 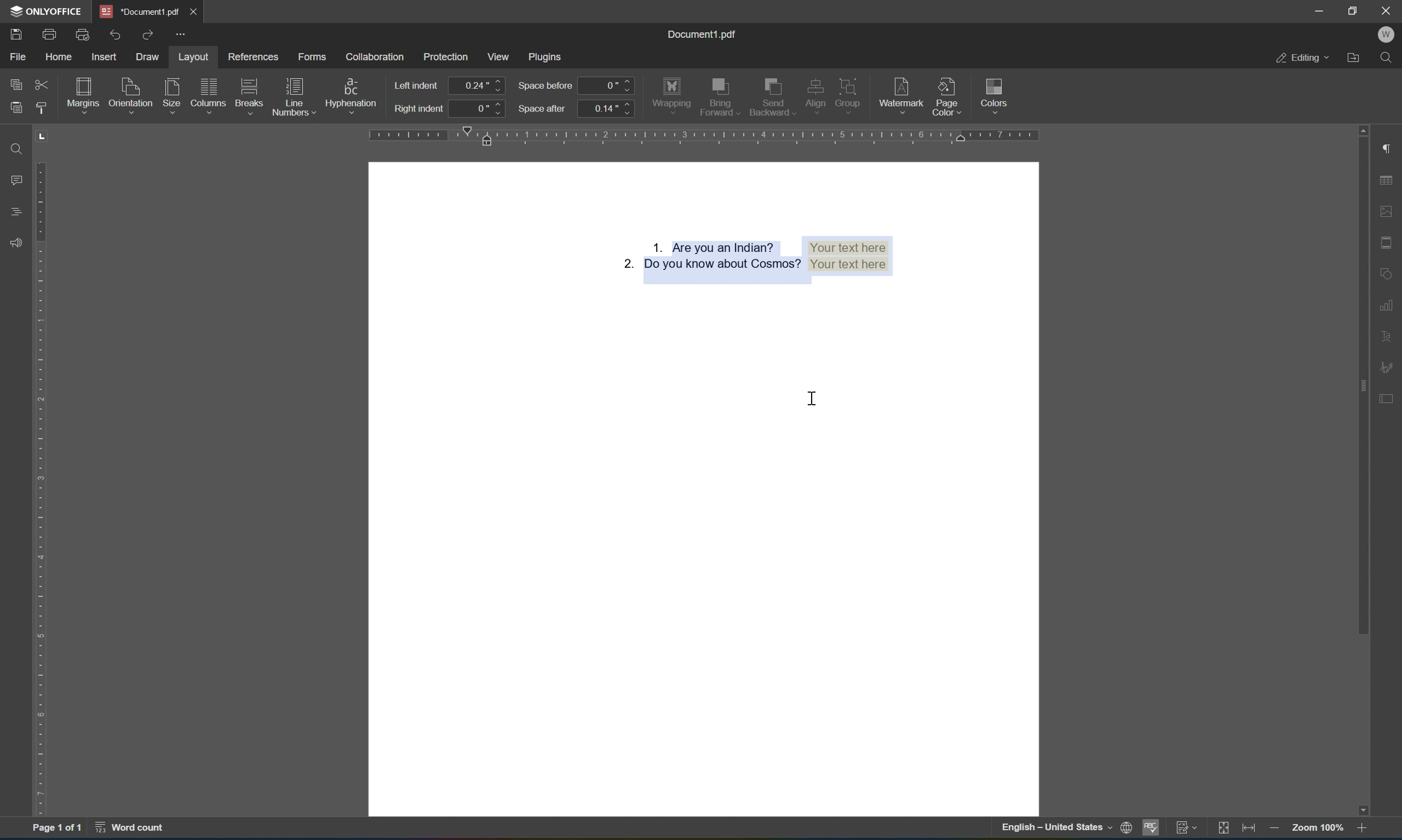 What do you see at coordinates (606, 109) in the screenshot?
I see `0.14` at bounding box center [606, 109].